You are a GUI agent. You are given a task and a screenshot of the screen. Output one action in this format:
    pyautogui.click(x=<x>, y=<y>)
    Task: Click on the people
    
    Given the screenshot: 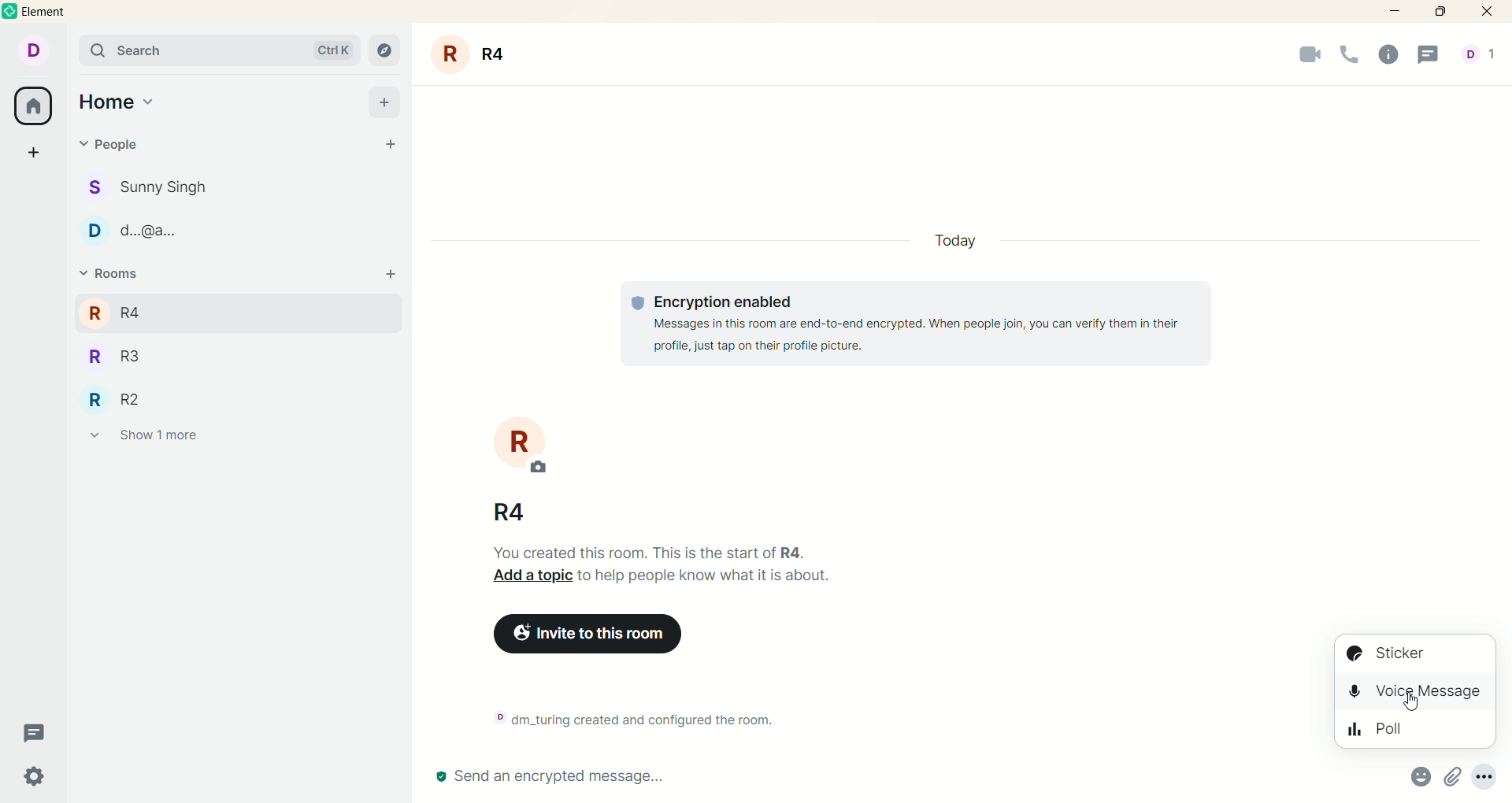 What is the action you would take?
    pyautogui.click(x=163, y=188)
    